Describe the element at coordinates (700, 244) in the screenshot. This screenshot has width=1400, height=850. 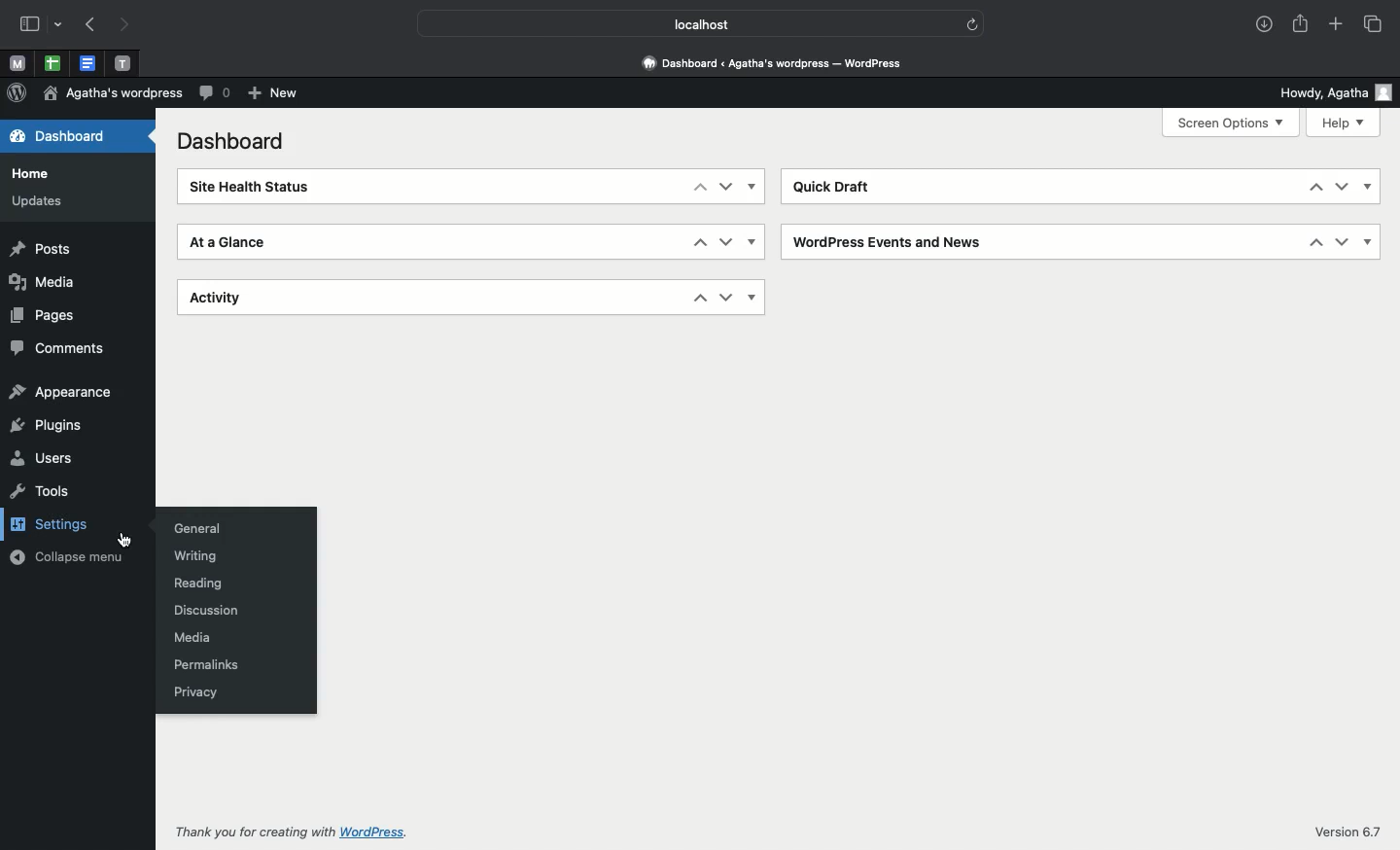
I see `Up` at that location.